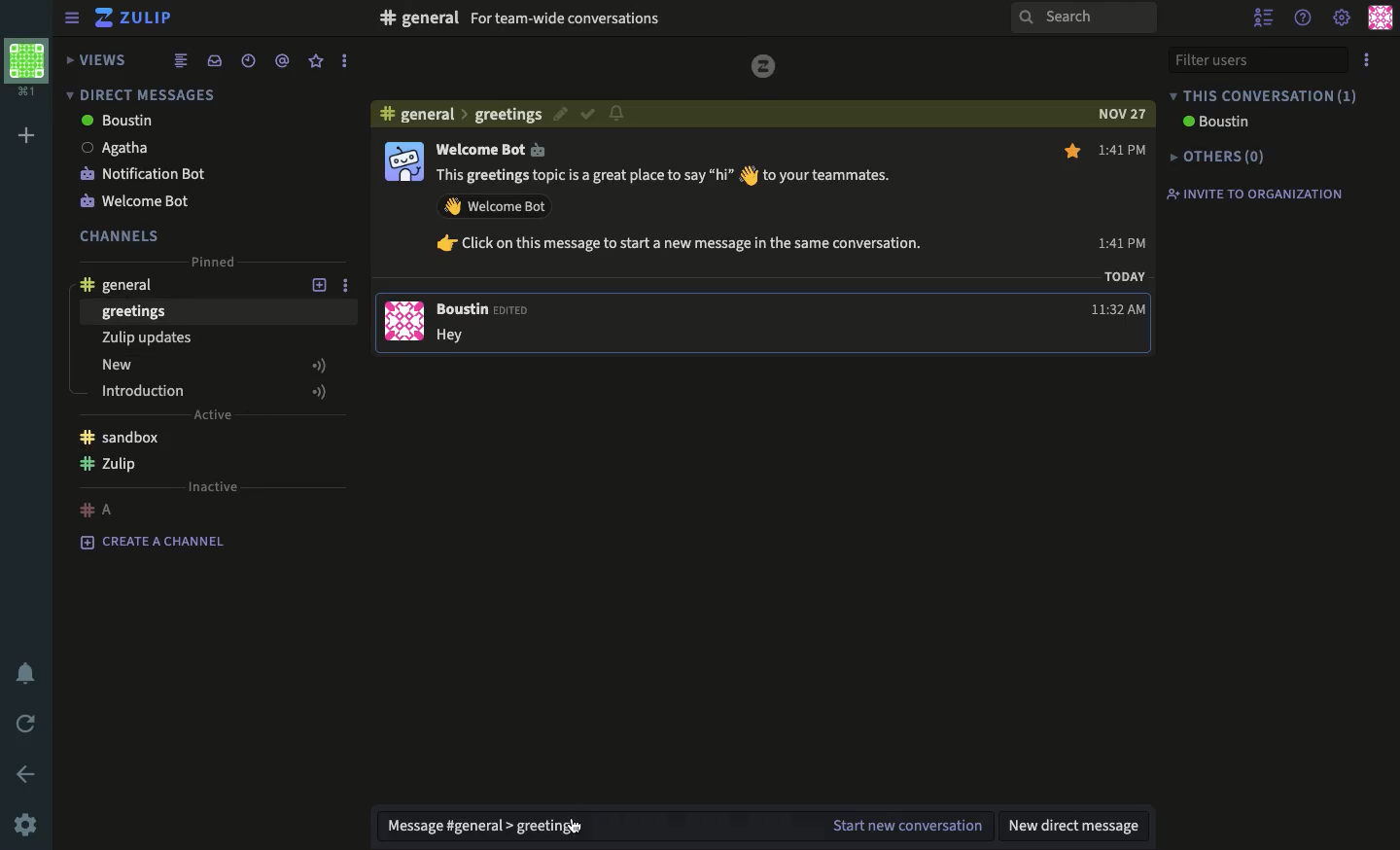  What do you see at coordinates (153, 540) in the screenshot?
I see `create a channel` at bounding box center [153, 540].